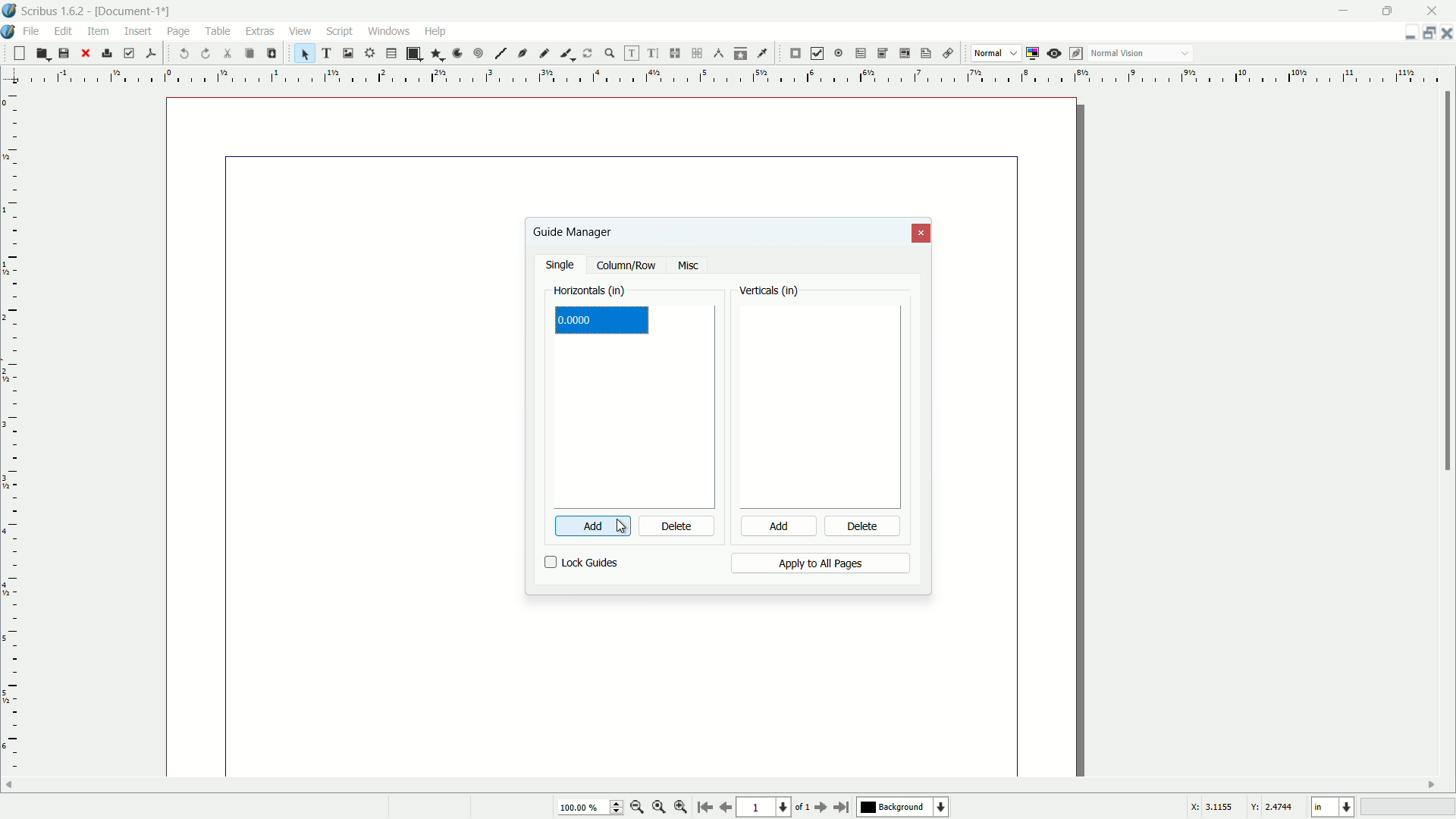 The image size is (1456, 819). Describe the element at coordinates (638, 807) in the screenshot. I see `zoom out` at that location.